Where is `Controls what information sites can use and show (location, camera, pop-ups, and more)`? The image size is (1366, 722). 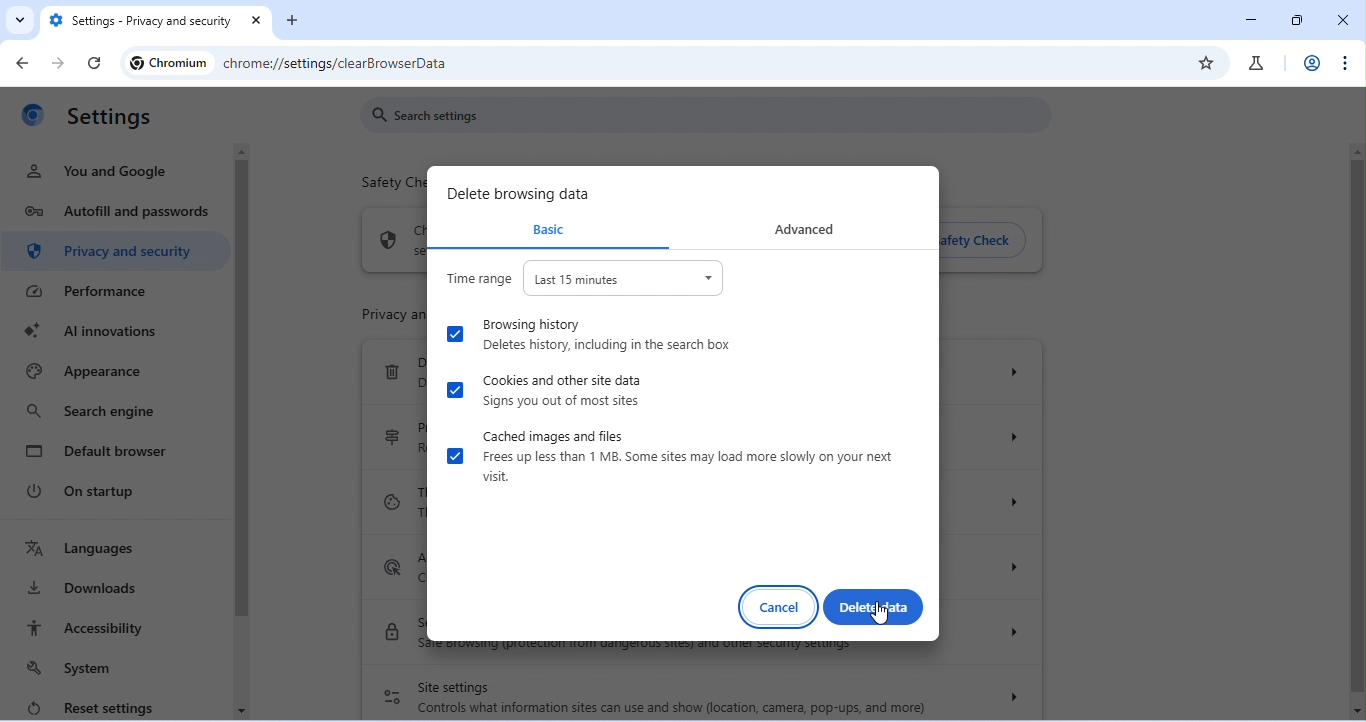 Controls what information sites can use and show (location, camera, pop-ups, and more) is located at coordinates (672, 708).